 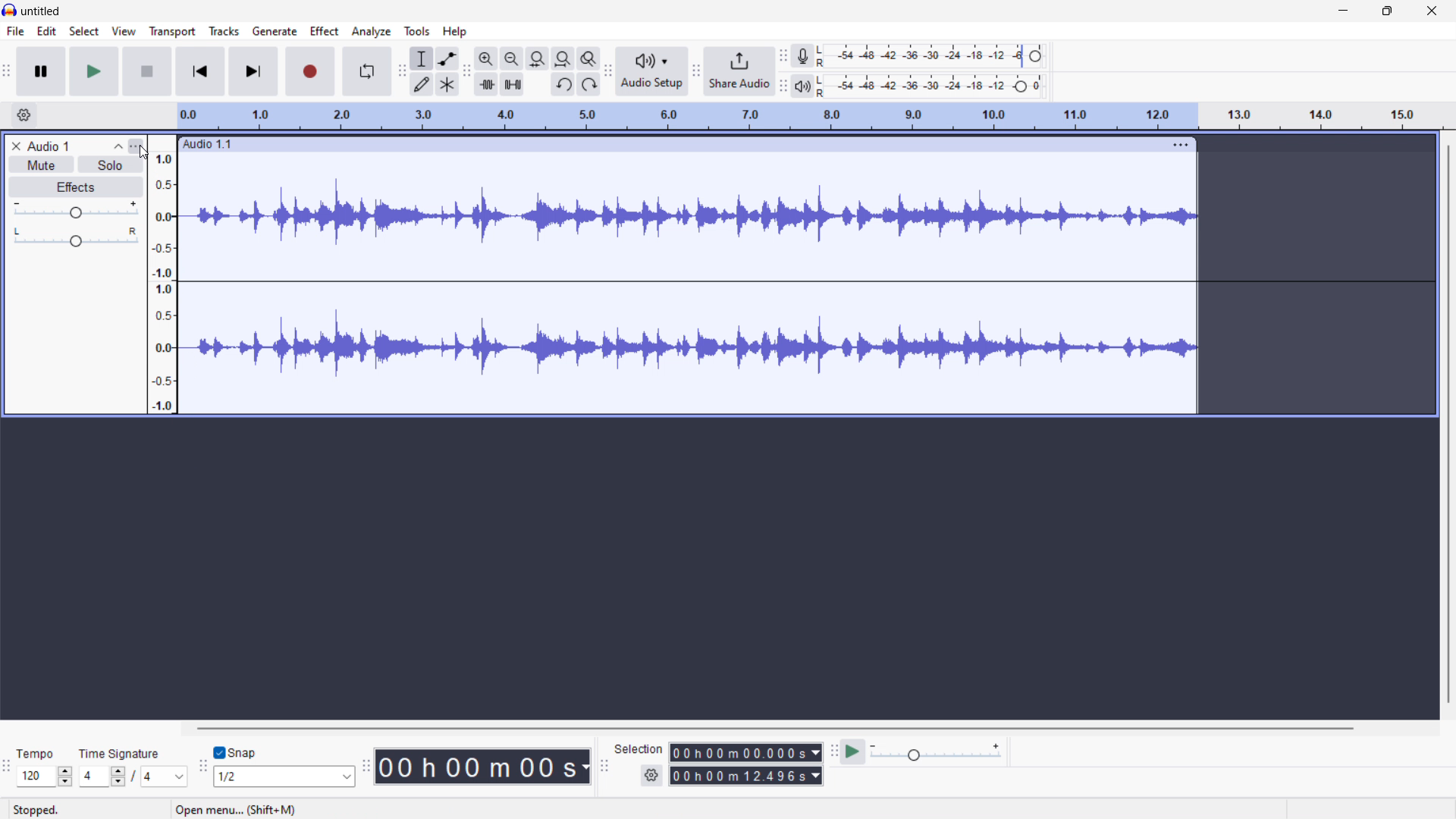 What do you see at coordinates (422, 58) in the screenshot?
I see `selection tool` at bounding box center [422, 58].